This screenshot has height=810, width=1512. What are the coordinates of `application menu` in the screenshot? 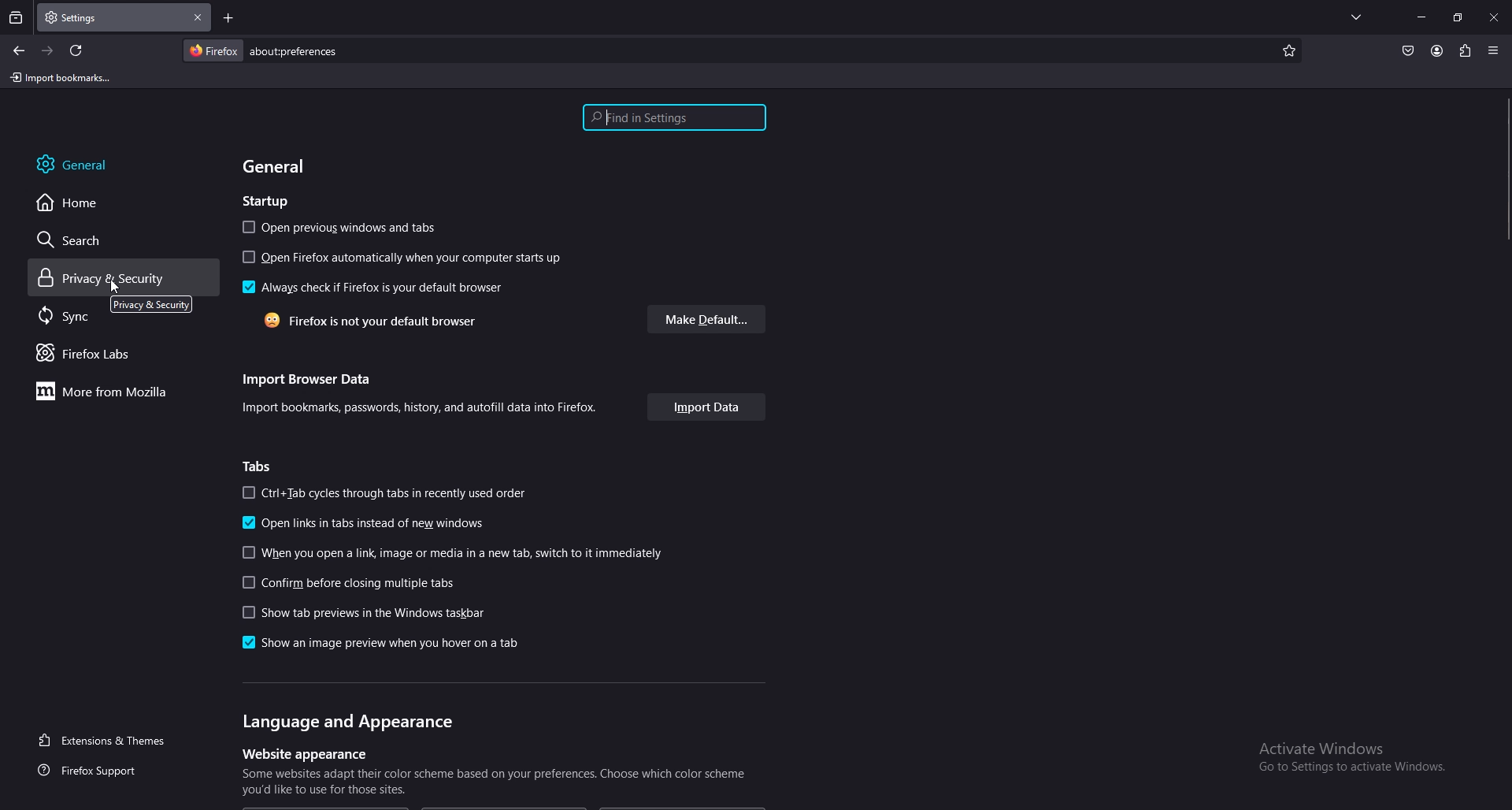 It's located at (1494, 49).